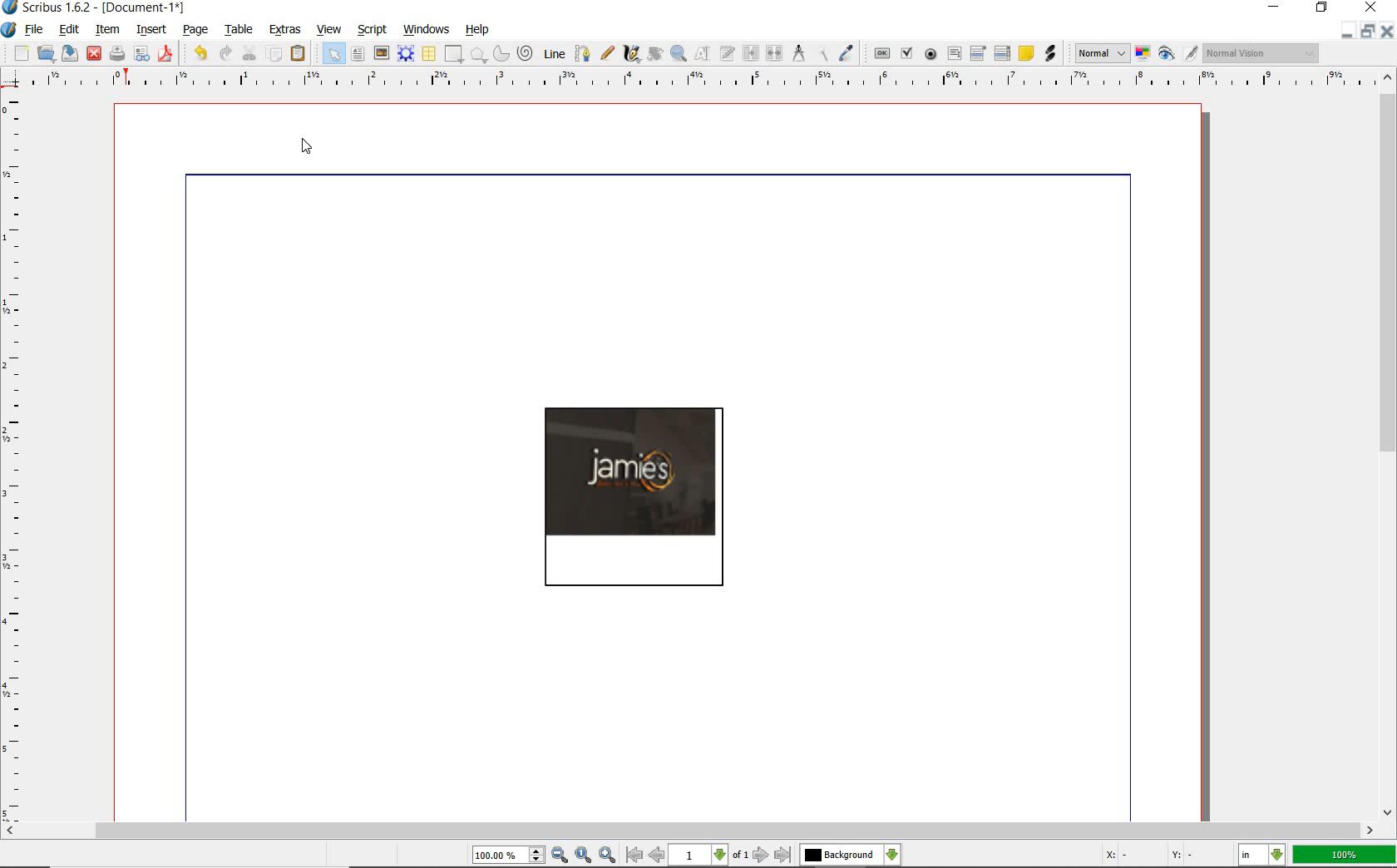 The height and width of the screenshot is (868, 1397). Describe the element at coordinates (285, 29) in the screenshot. I see `extras` at that location.